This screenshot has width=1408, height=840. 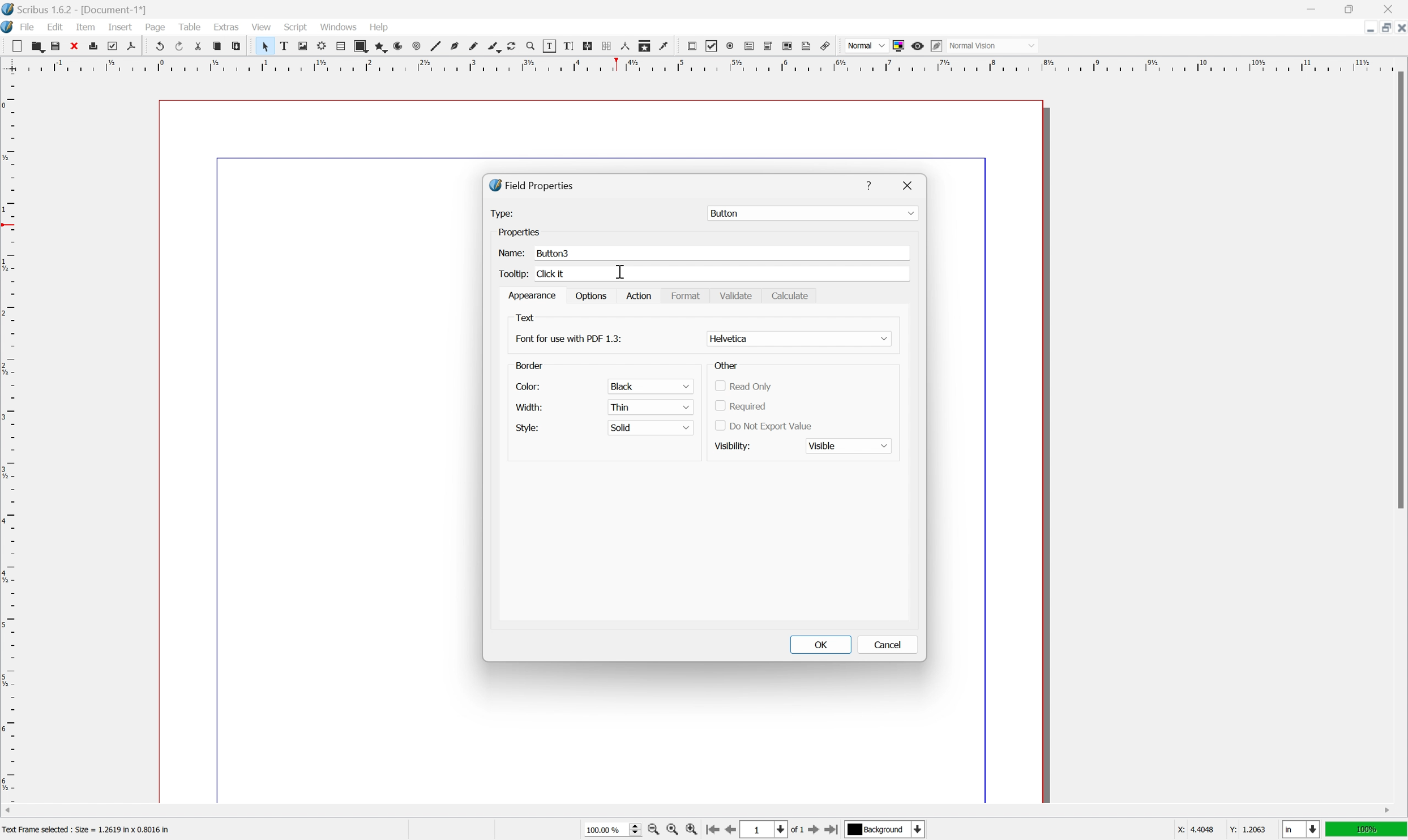 I want to click on copy, so click(x=217, y=46).